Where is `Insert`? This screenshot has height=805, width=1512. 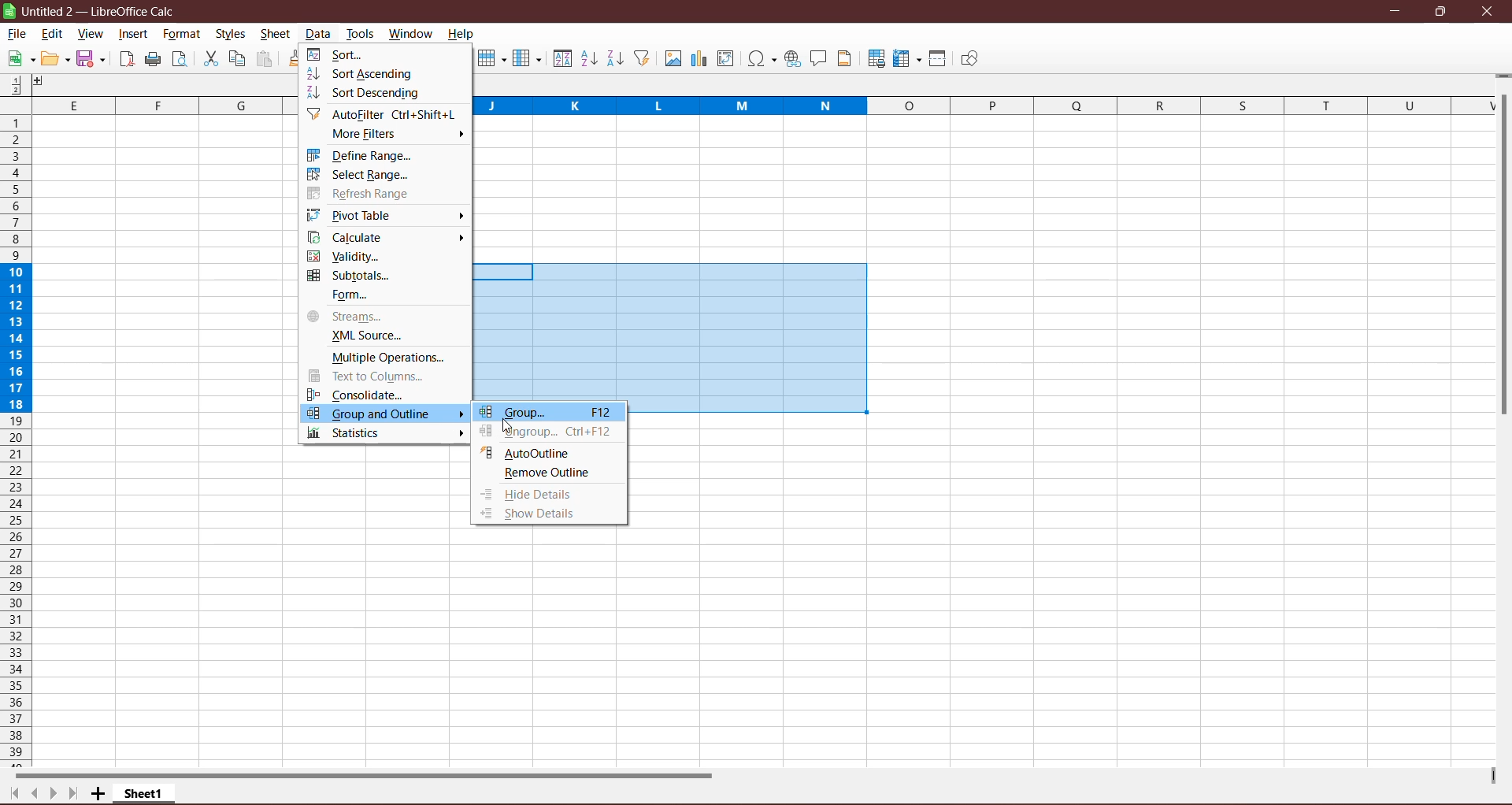 Insert is located at coordinates (134, 34).